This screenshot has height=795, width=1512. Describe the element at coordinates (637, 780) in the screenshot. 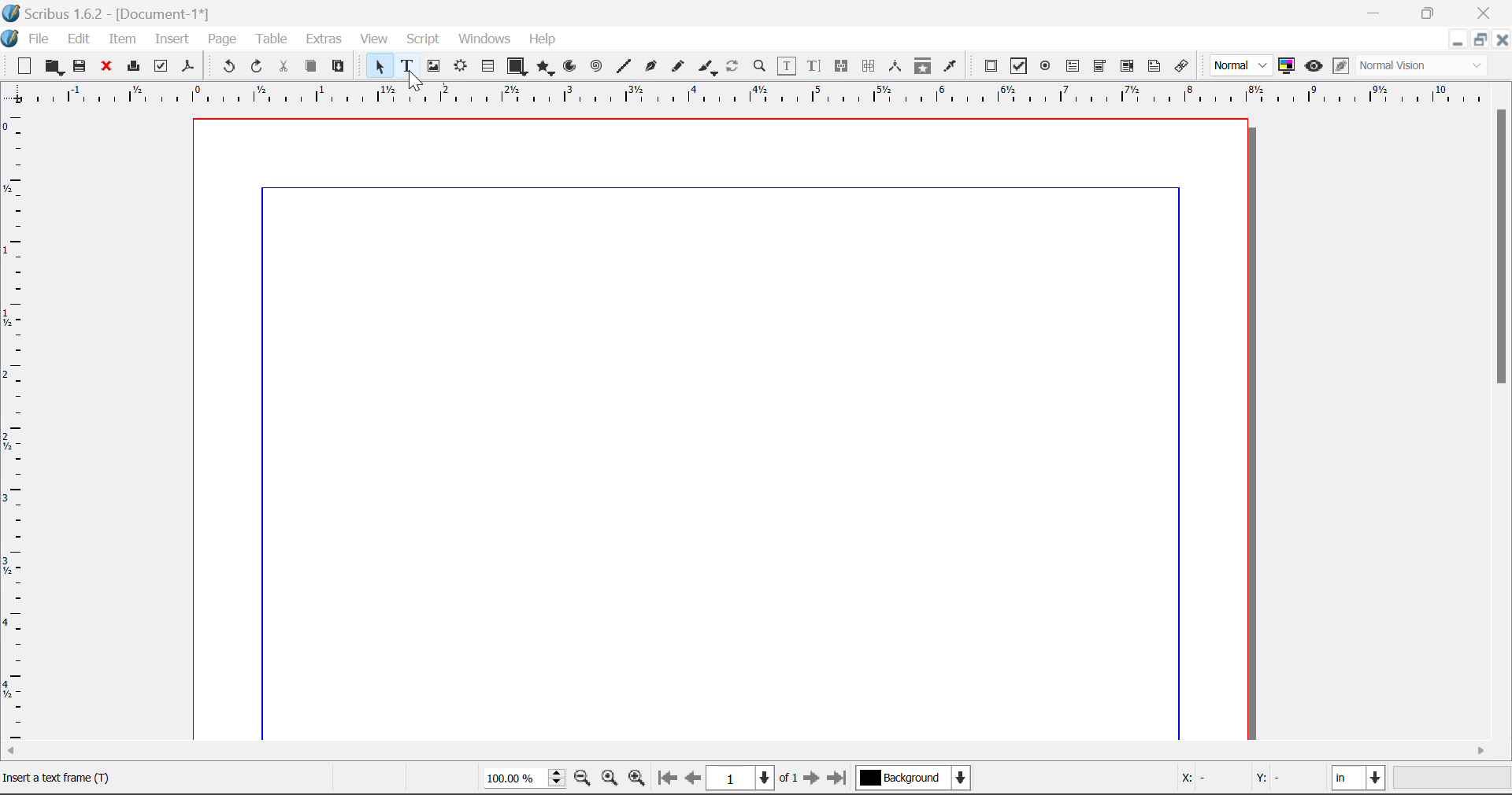

I see `Zoom In` at that location.